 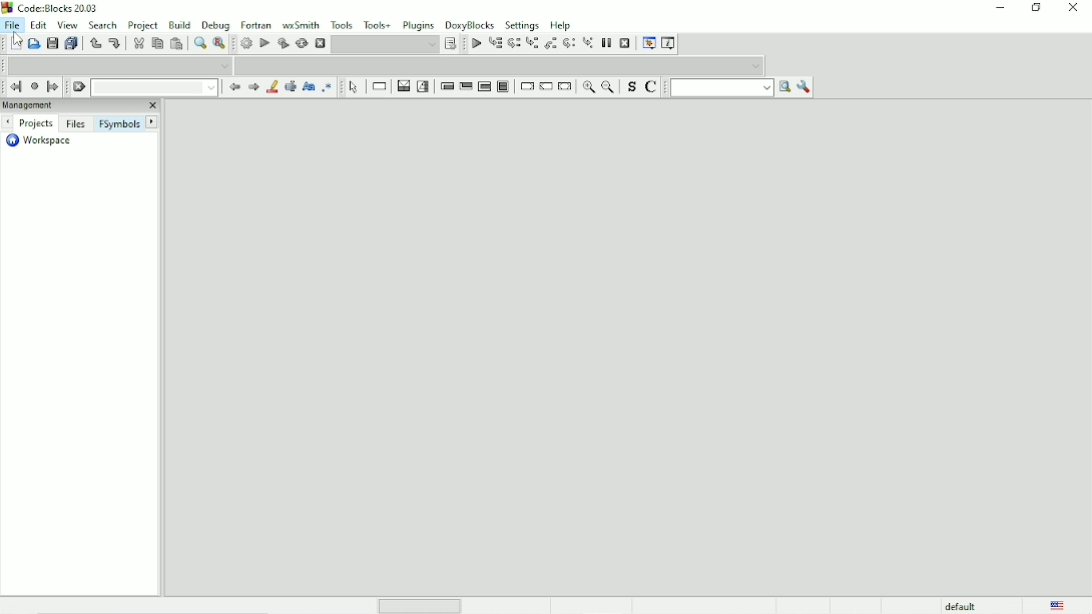 What do you see at coordinates (424, 605) in the screenshot?
I see `horizontal scroll bar` at bounding box center [424, 605].